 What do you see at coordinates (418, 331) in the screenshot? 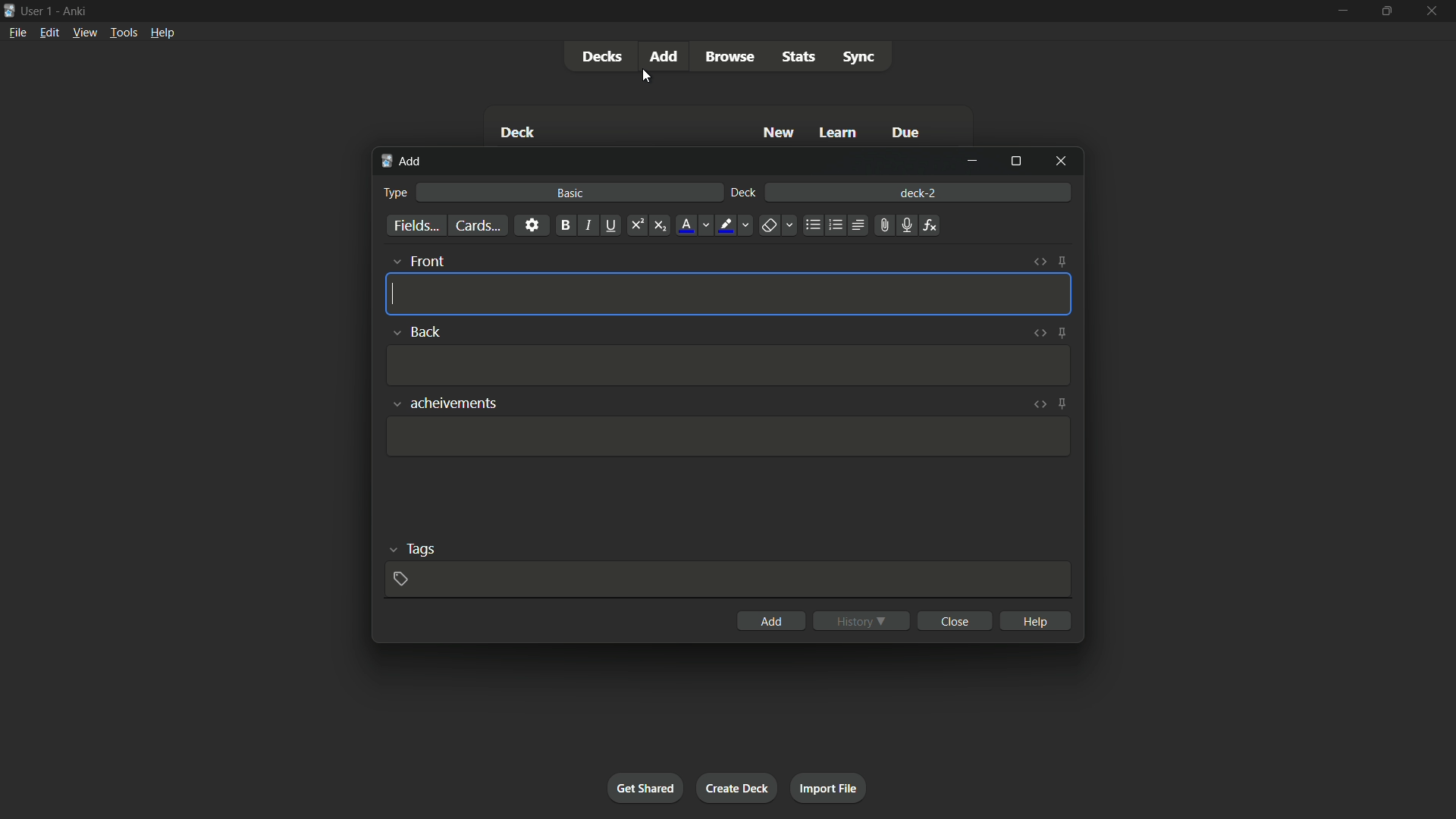
I see `back` at bounding box center [418, 331].